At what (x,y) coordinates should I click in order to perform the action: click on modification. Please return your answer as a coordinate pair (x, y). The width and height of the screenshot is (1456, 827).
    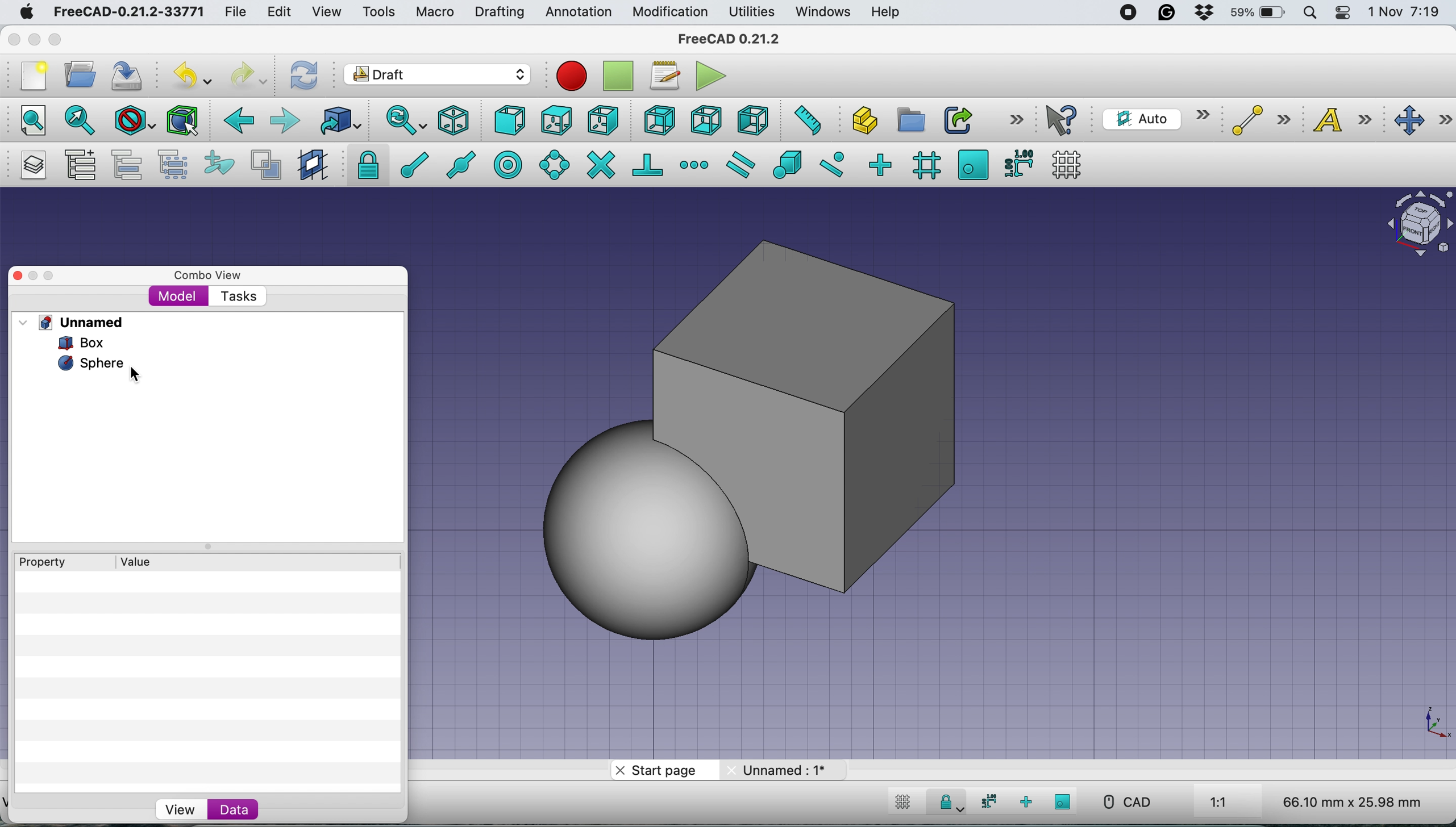
    Looking at the image, I should click on (669, 12).